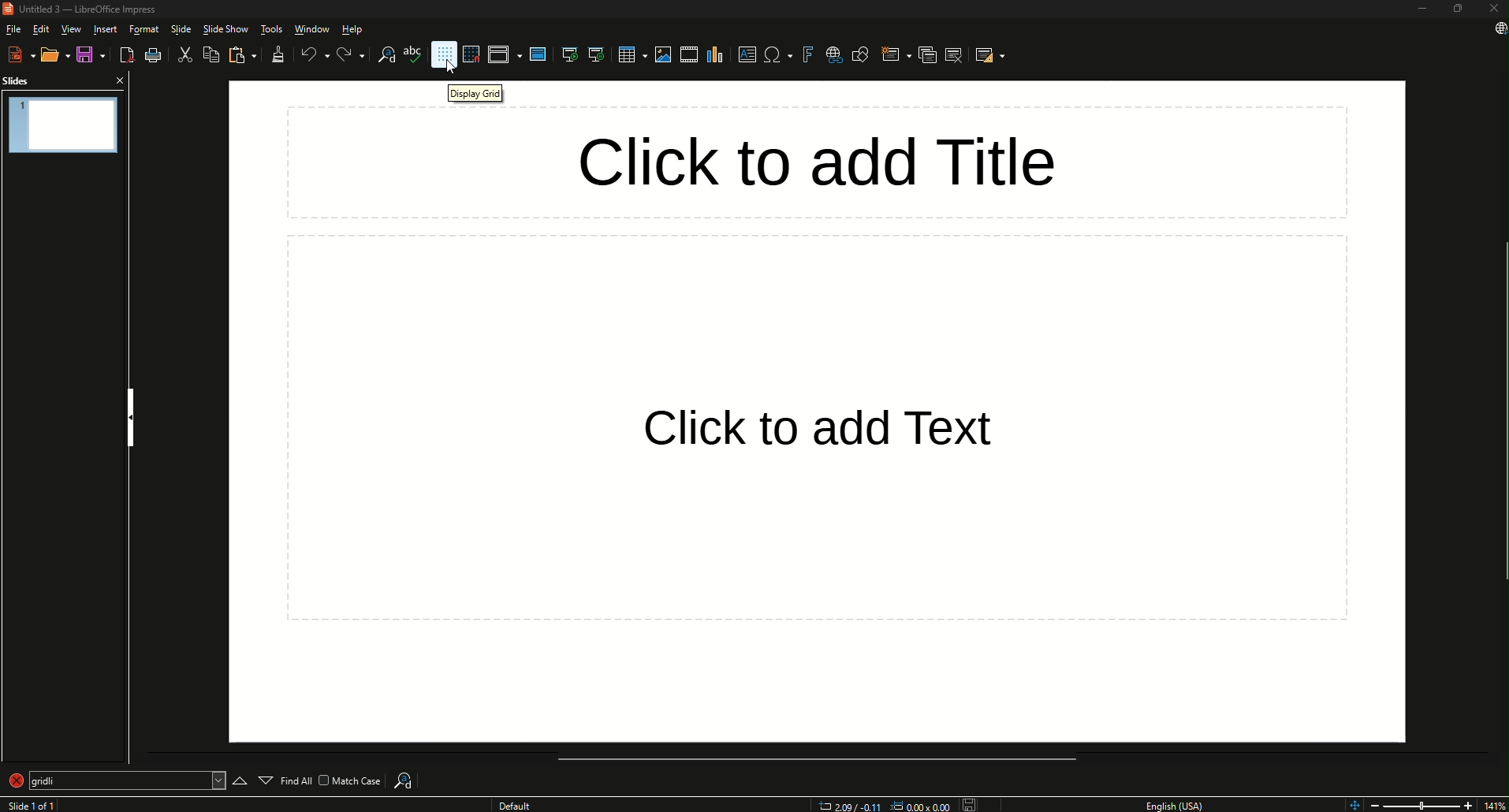 This screenshot has width=1509, height=812. I want to click on Slide Layout, so click(993, 54).